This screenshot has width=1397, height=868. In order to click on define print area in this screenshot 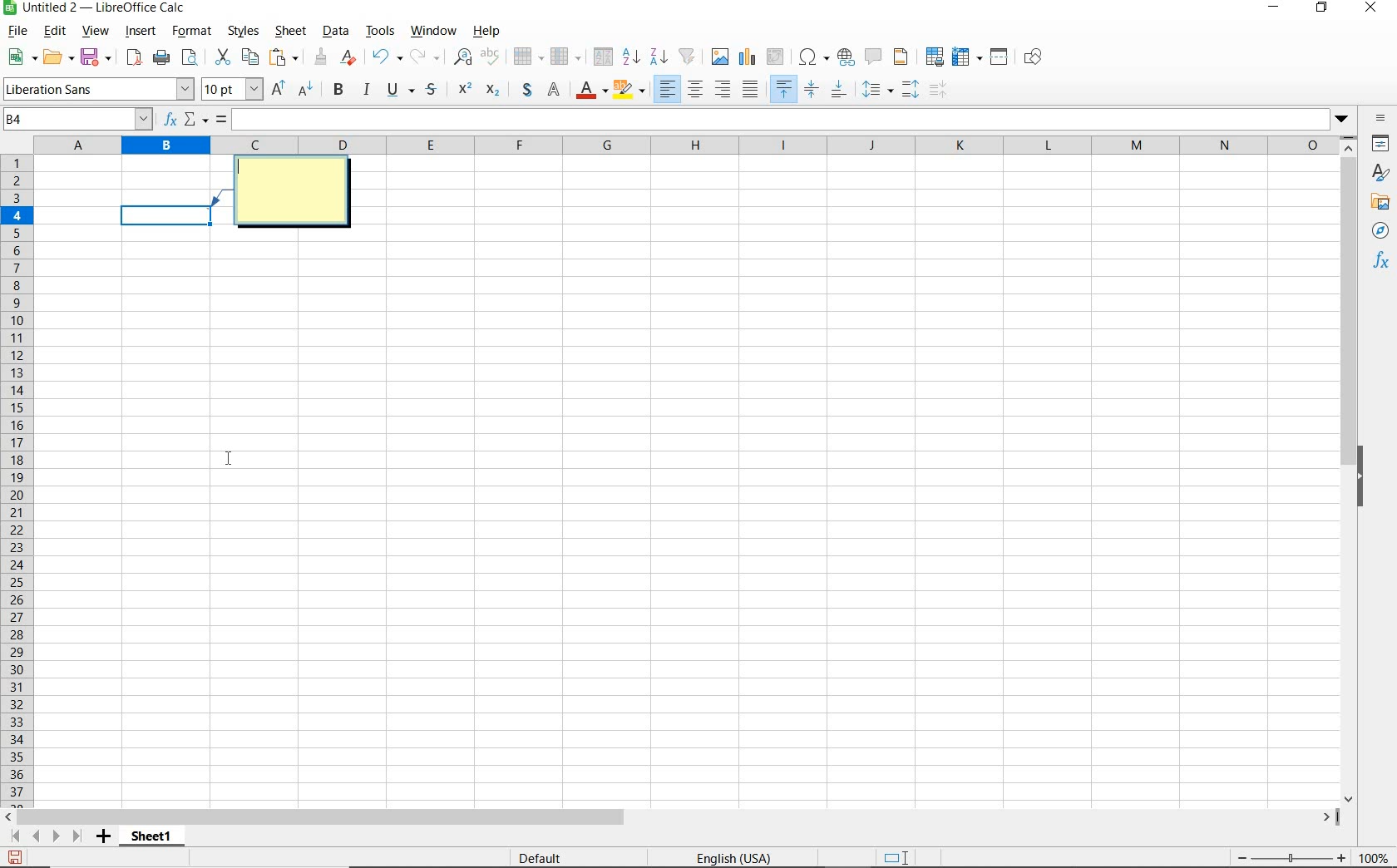, I will do `click(935, 56)`.